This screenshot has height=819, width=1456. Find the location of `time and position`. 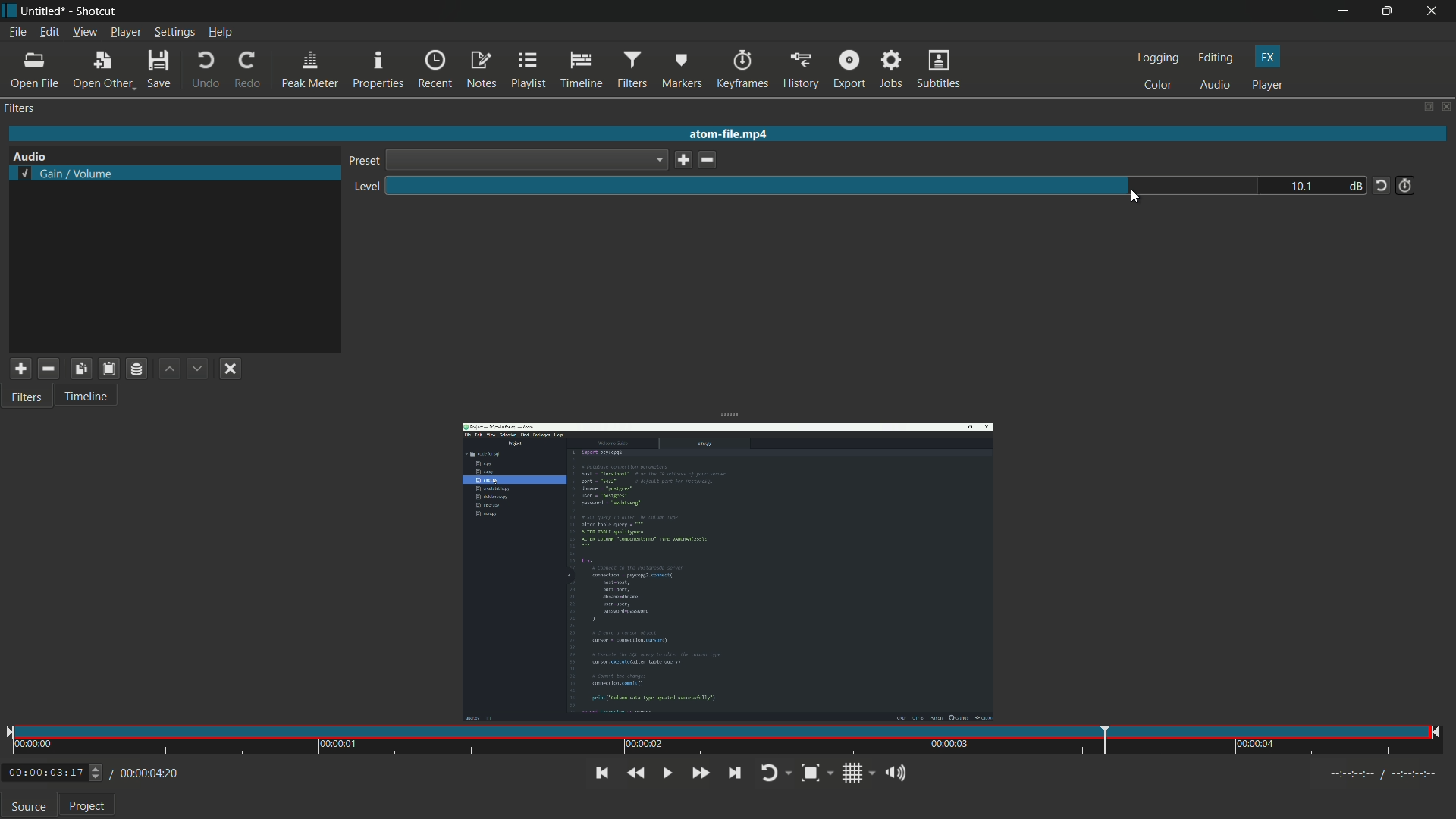

time and position is located at coordinates (726, 742).